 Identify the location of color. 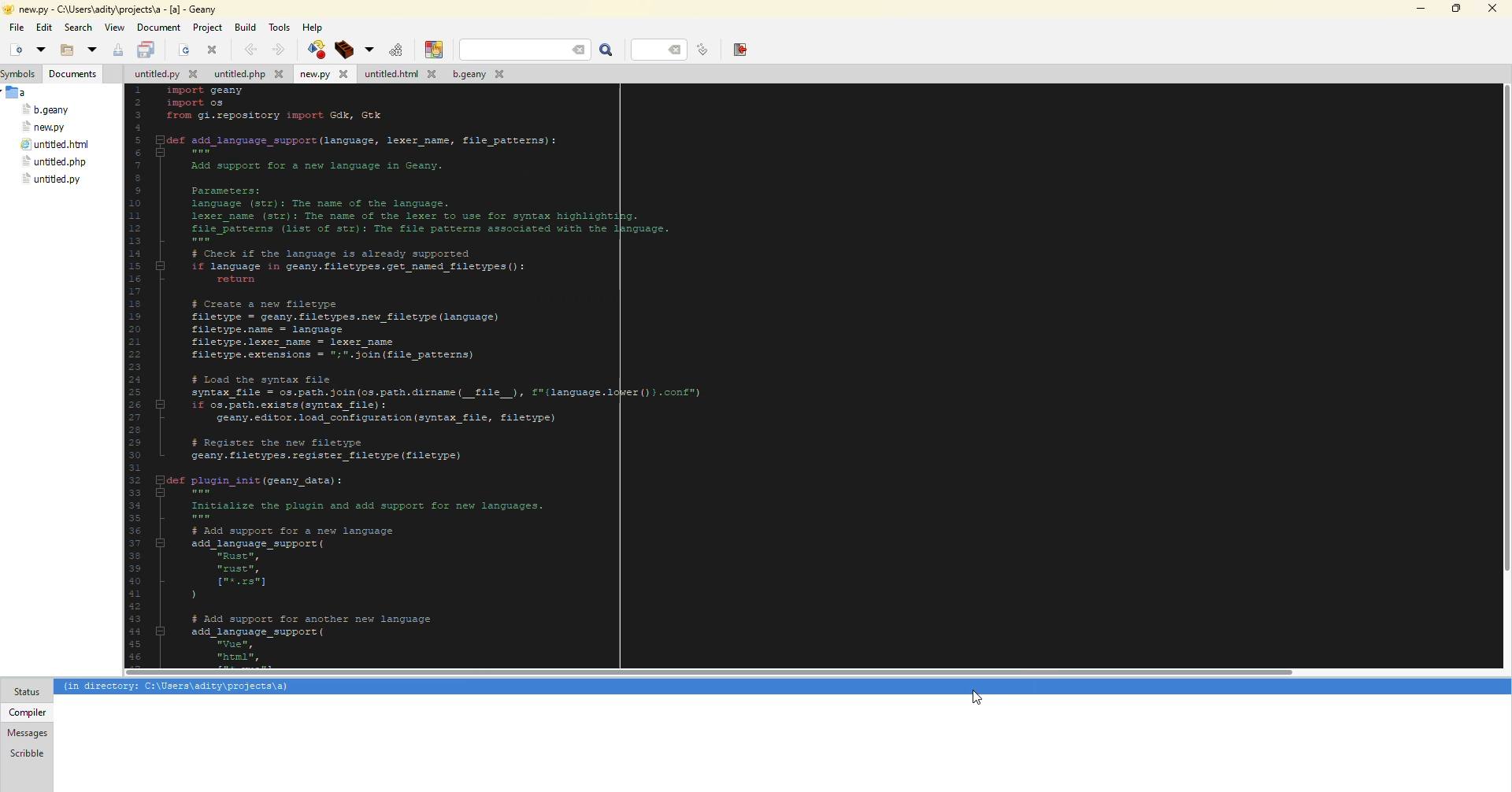
(431, 50).